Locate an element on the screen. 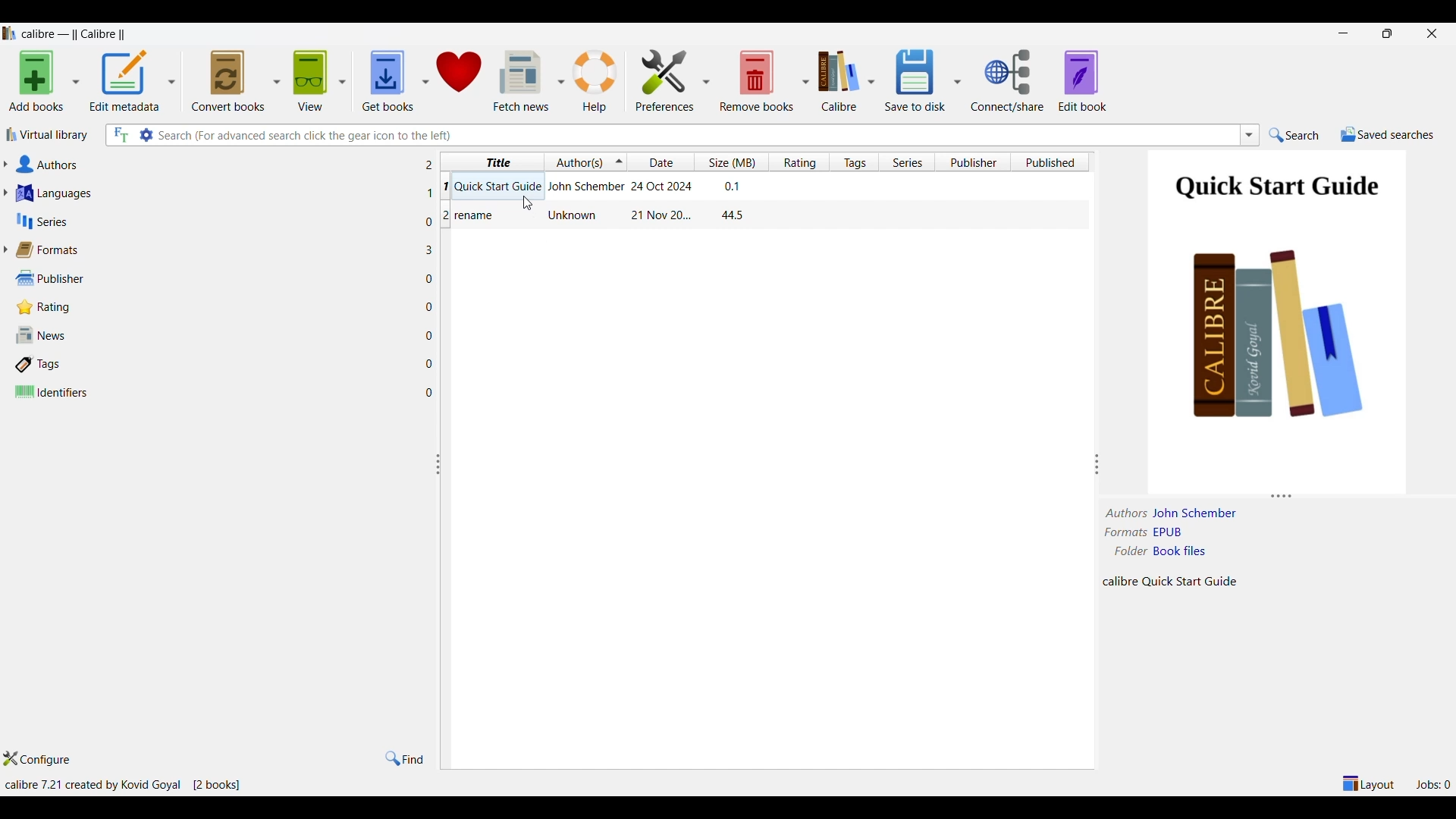 This screenshot has width=1456, height=819. Tags column is located at coordinates (854, 162).